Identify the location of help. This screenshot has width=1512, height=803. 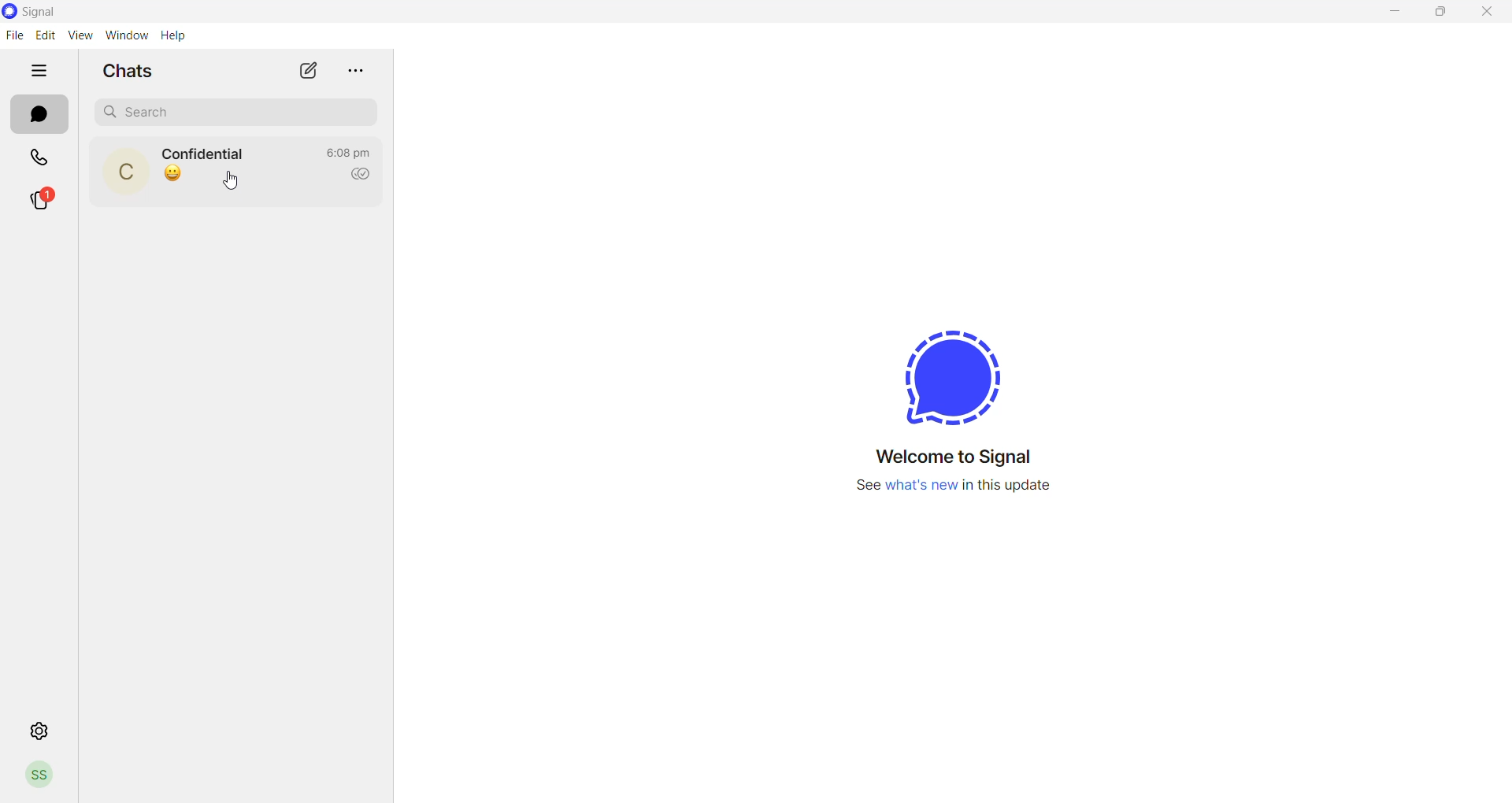
(172, 36).